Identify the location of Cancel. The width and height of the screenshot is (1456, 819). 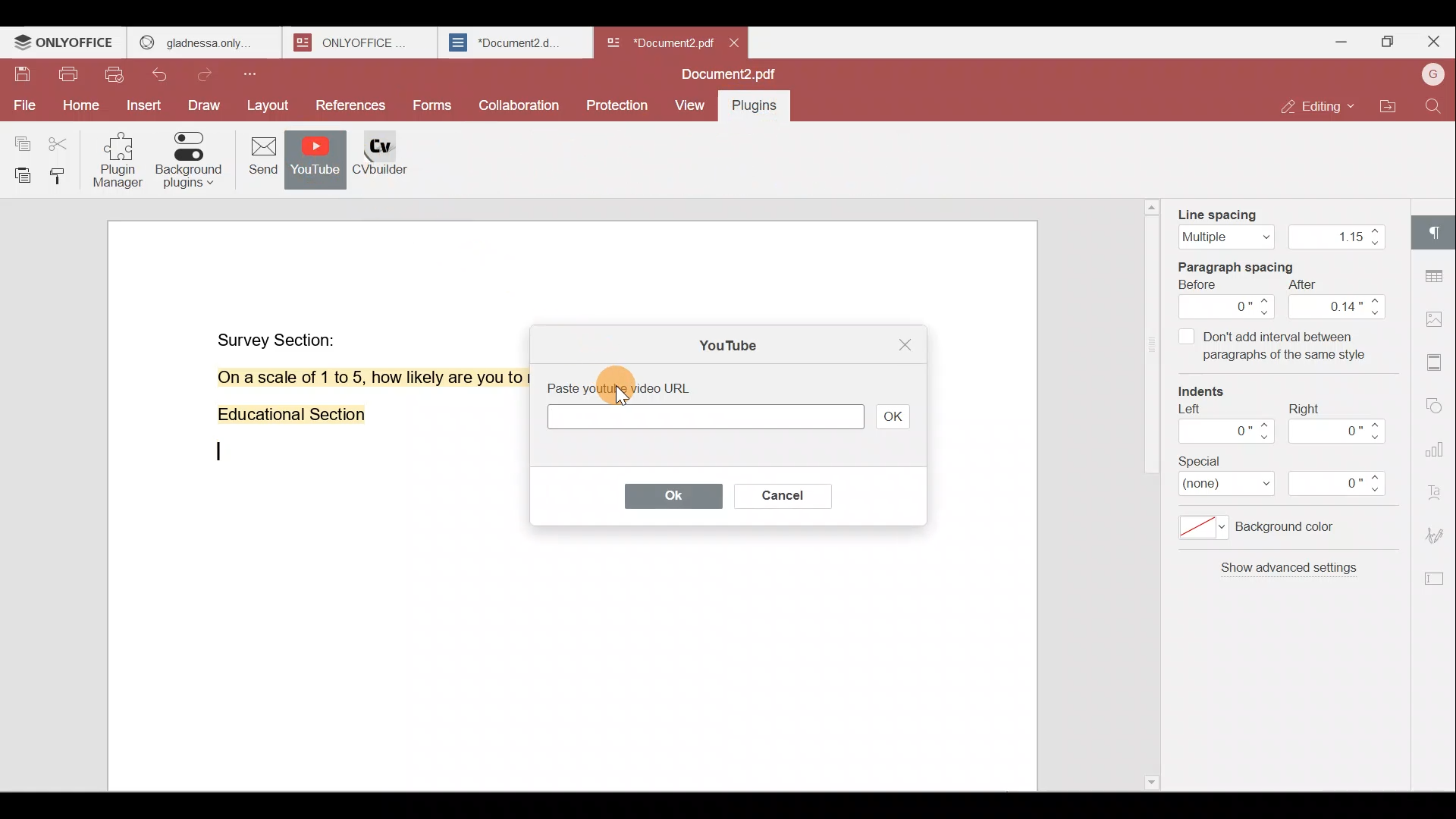
(779, 493).